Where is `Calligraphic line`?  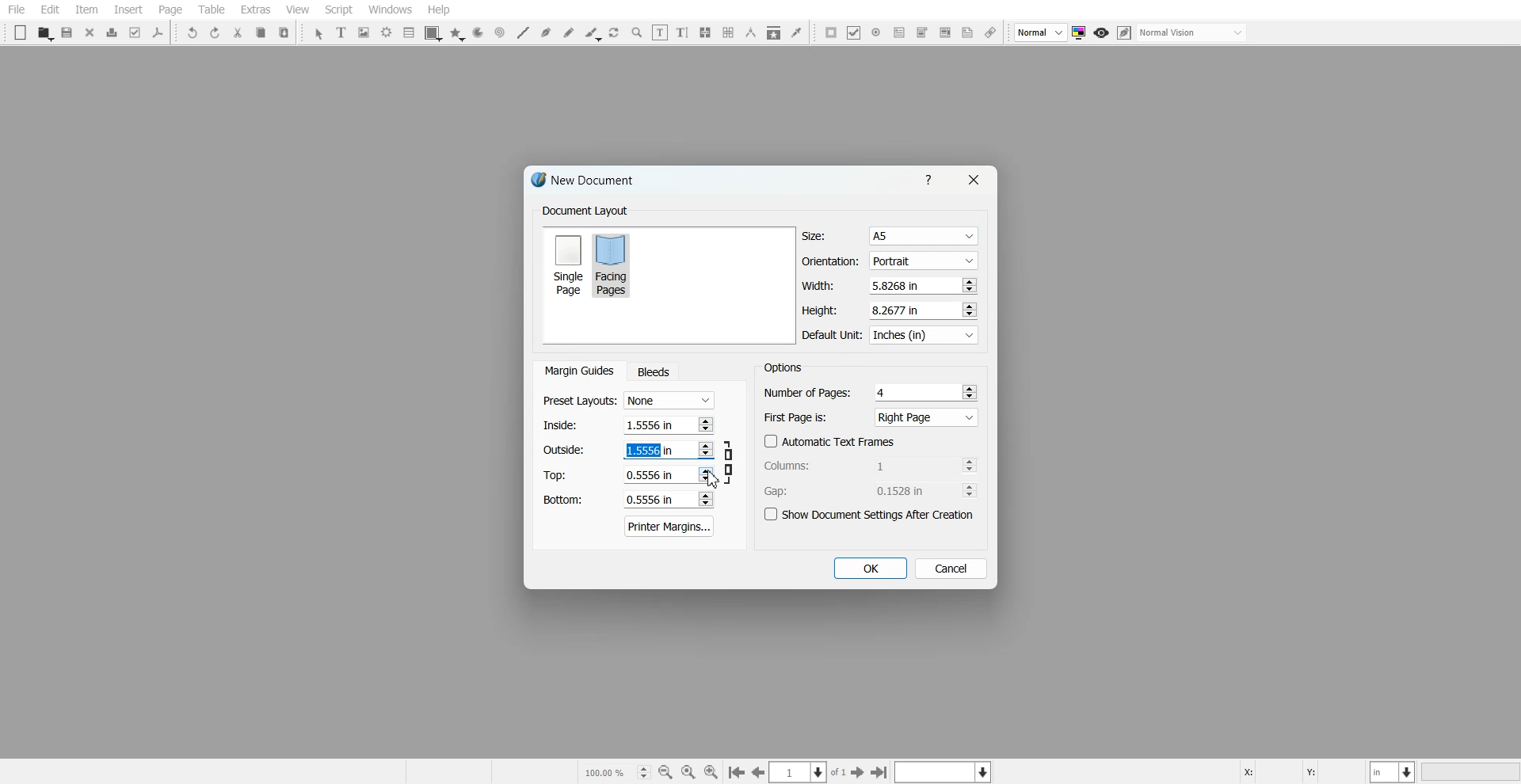
Calligraphic line is located at coordinates (593, 34).